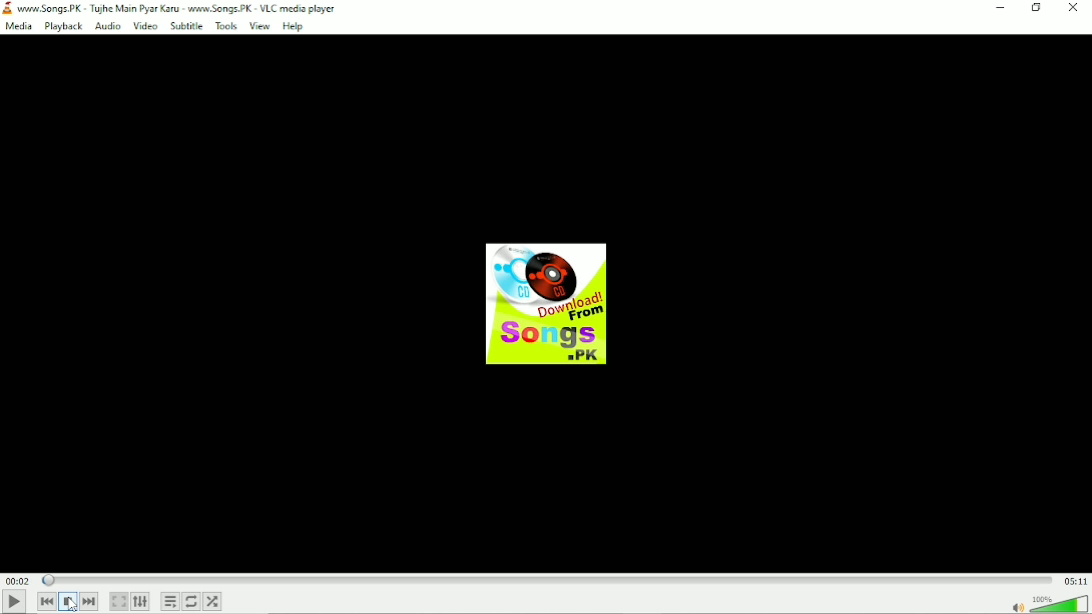 The image size is (1092, 614). What do you see at coordinates (1035, 9) in the screenshot?
I see `Restore down` at bounding box center [1035, 9].